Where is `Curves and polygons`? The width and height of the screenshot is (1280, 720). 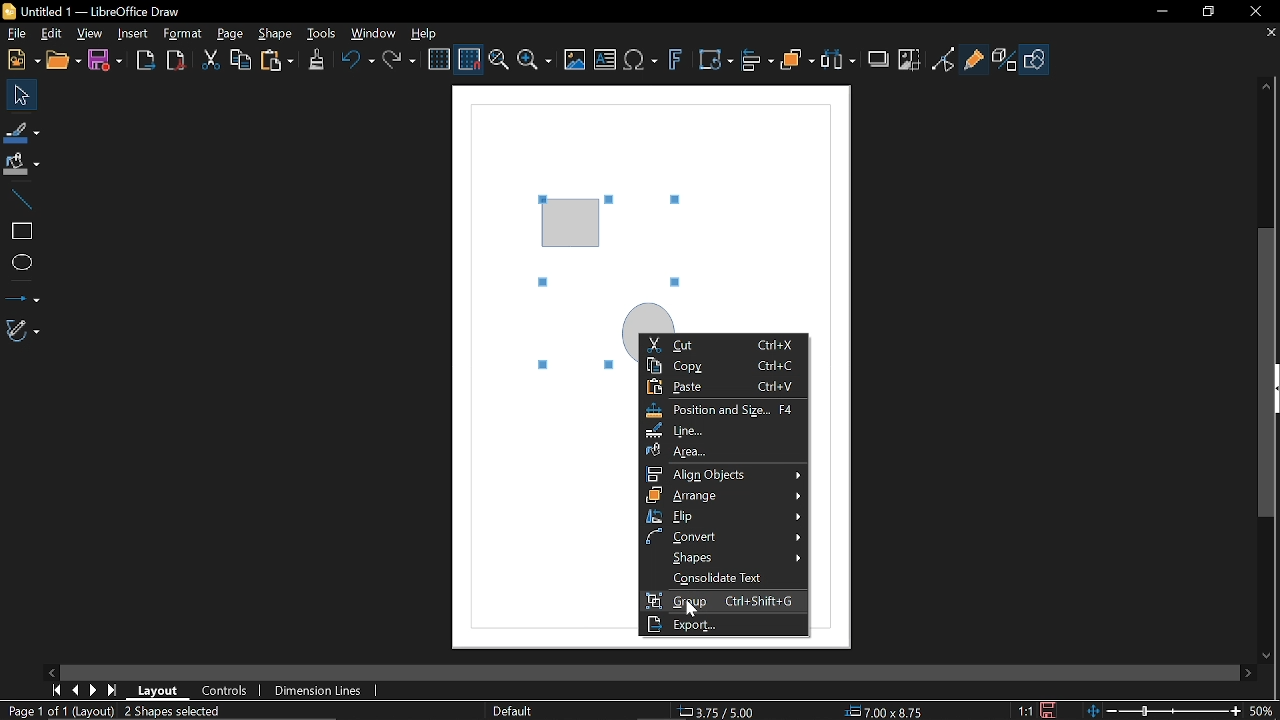
Curves and polygons is located at coordinates (20, 329).